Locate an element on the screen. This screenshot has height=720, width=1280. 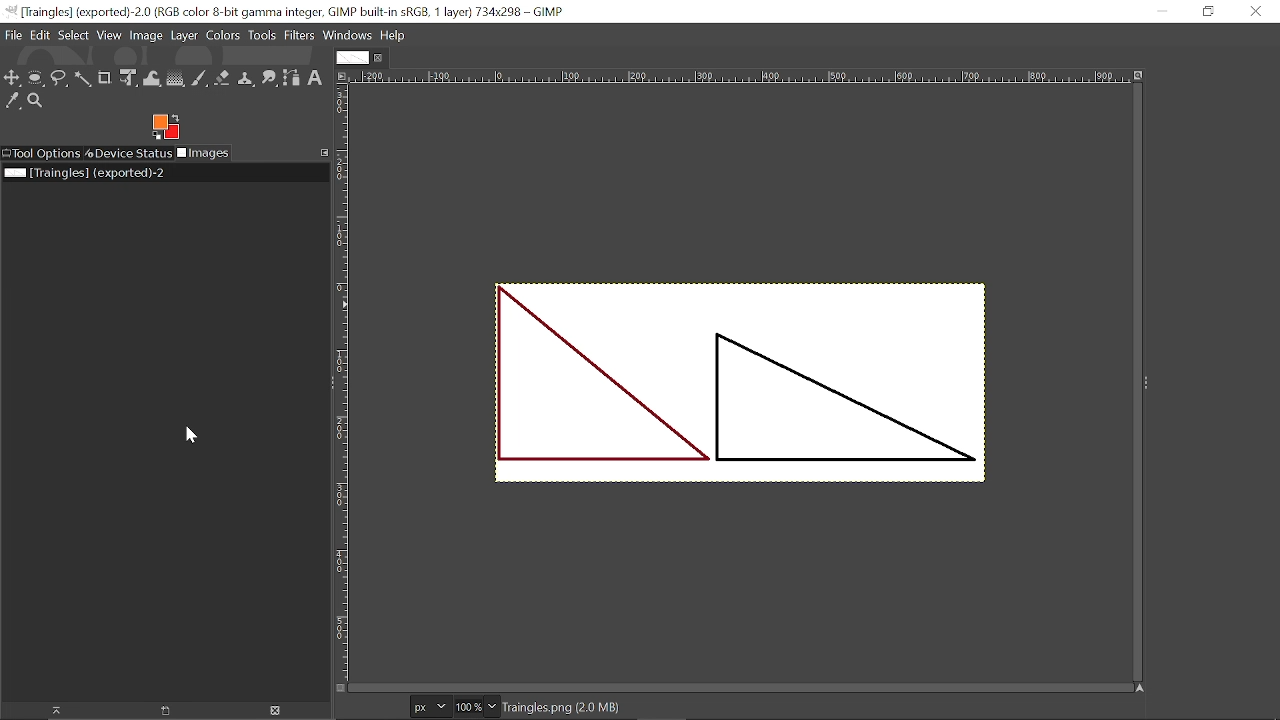
Layer is located at coordinates (184, 36).